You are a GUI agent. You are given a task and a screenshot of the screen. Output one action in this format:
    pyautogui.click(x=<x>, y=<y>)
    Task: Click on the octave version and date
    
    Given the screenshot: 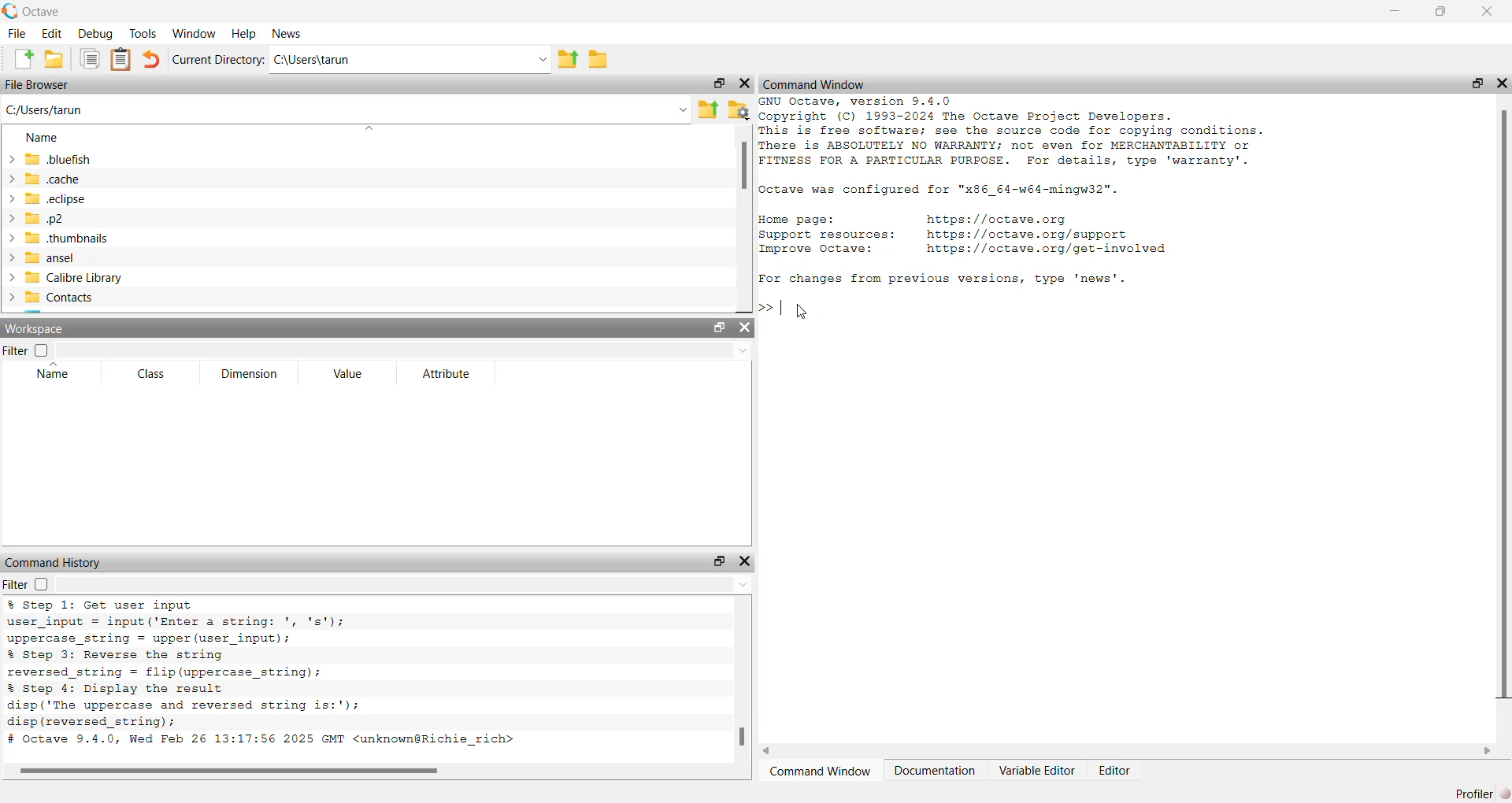 What is the action you would take?
    pyautogui.click(x=299, y=741)
    